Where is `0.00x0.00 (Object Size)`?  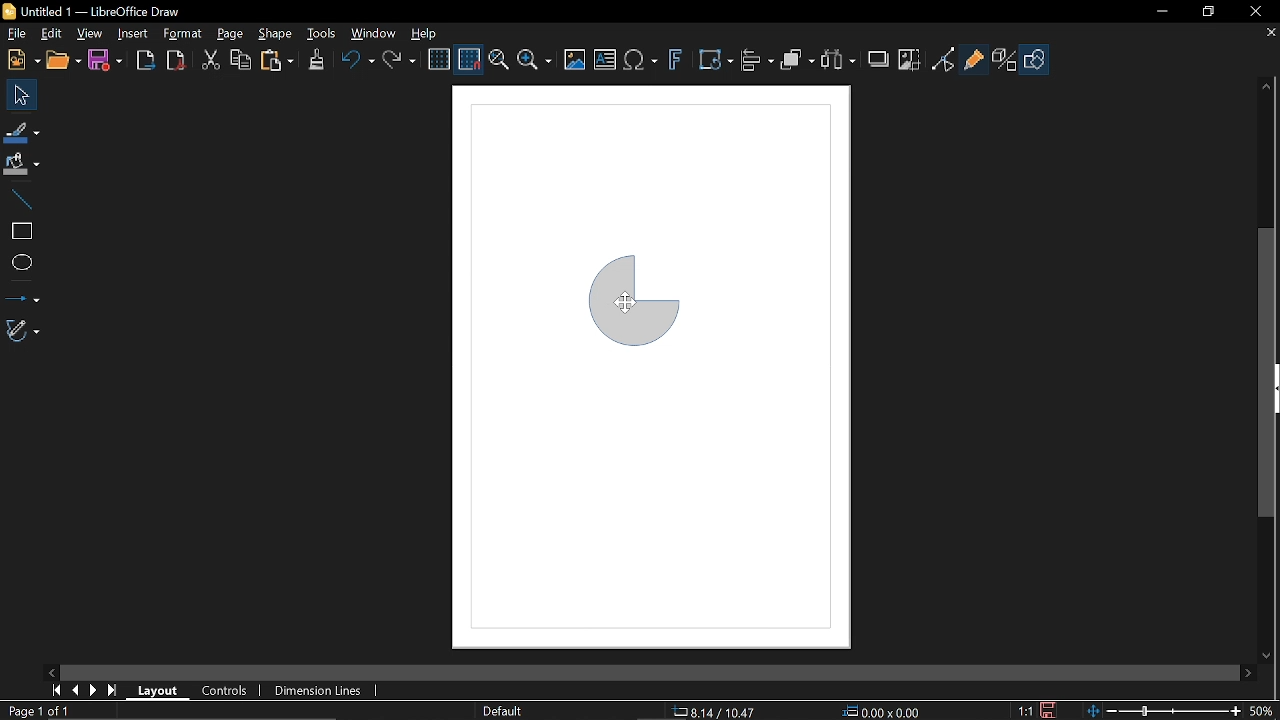 0.00x0.00 (Object Size) is located at coordinates (882, 712).